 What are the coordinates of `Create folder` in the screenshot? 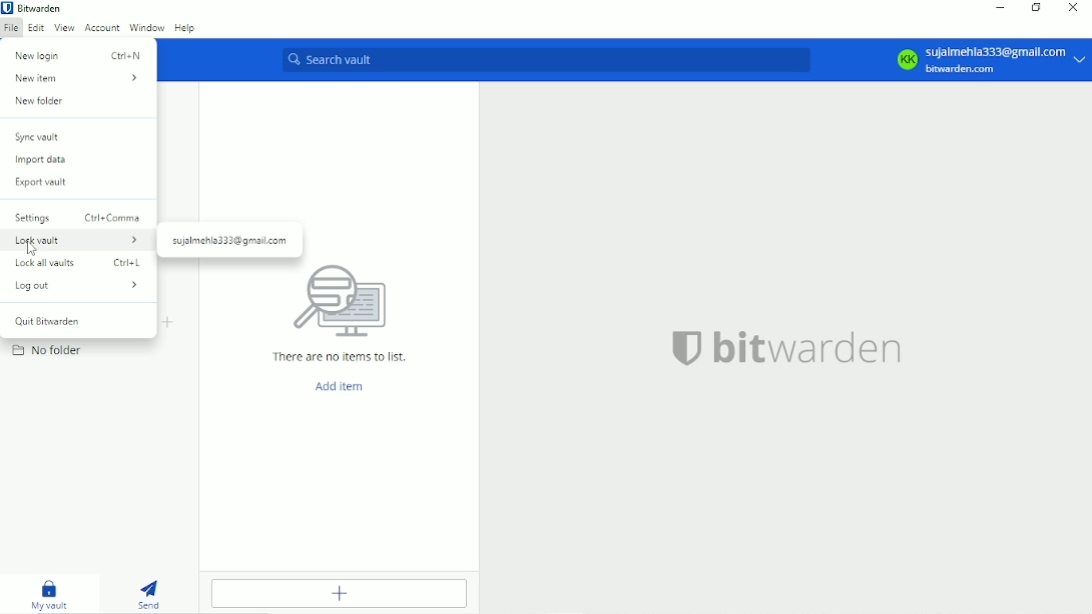 It's located at (169, 322).